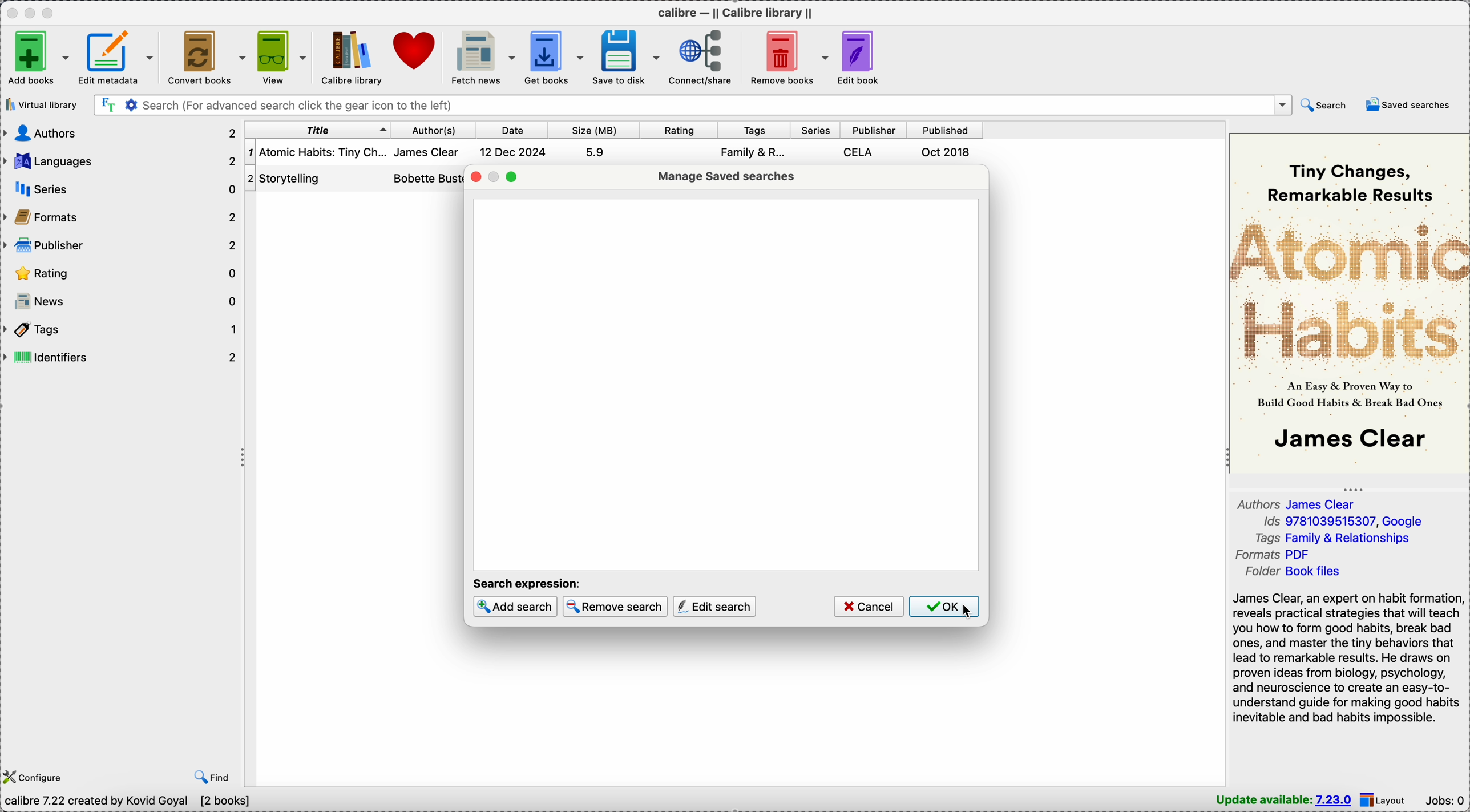 This screenshot has height=812, width=1470. I want to click on view, so click(281, 58).